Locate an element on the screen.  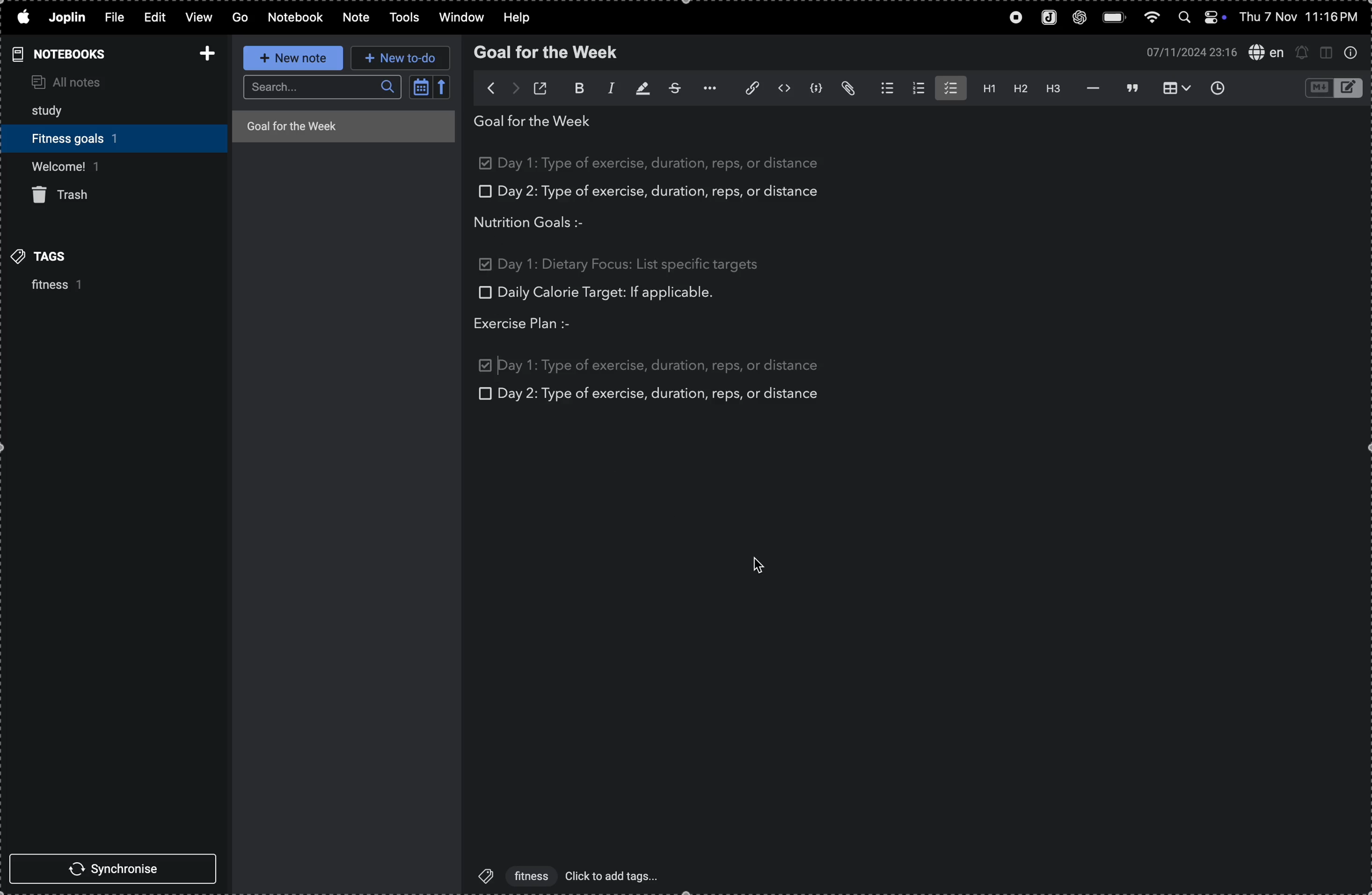
new note is located at coordinates (292, 57).